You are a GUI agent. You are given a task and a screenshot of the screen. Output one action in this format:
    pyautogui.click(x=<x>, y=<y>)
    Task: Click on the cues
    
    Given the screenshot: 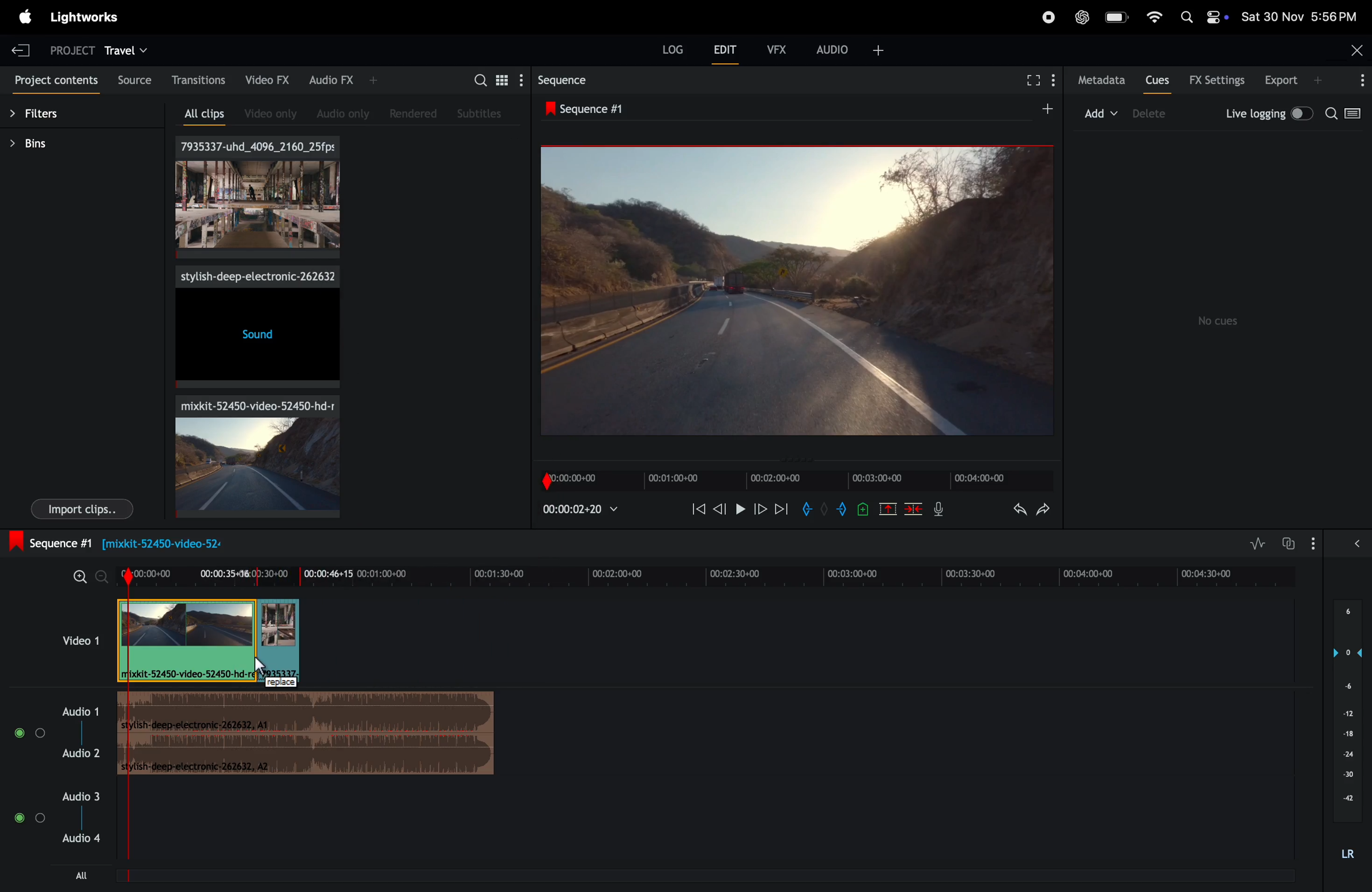 What is the action you would take?
    pyautogui.click(x=1157, y=82)
    